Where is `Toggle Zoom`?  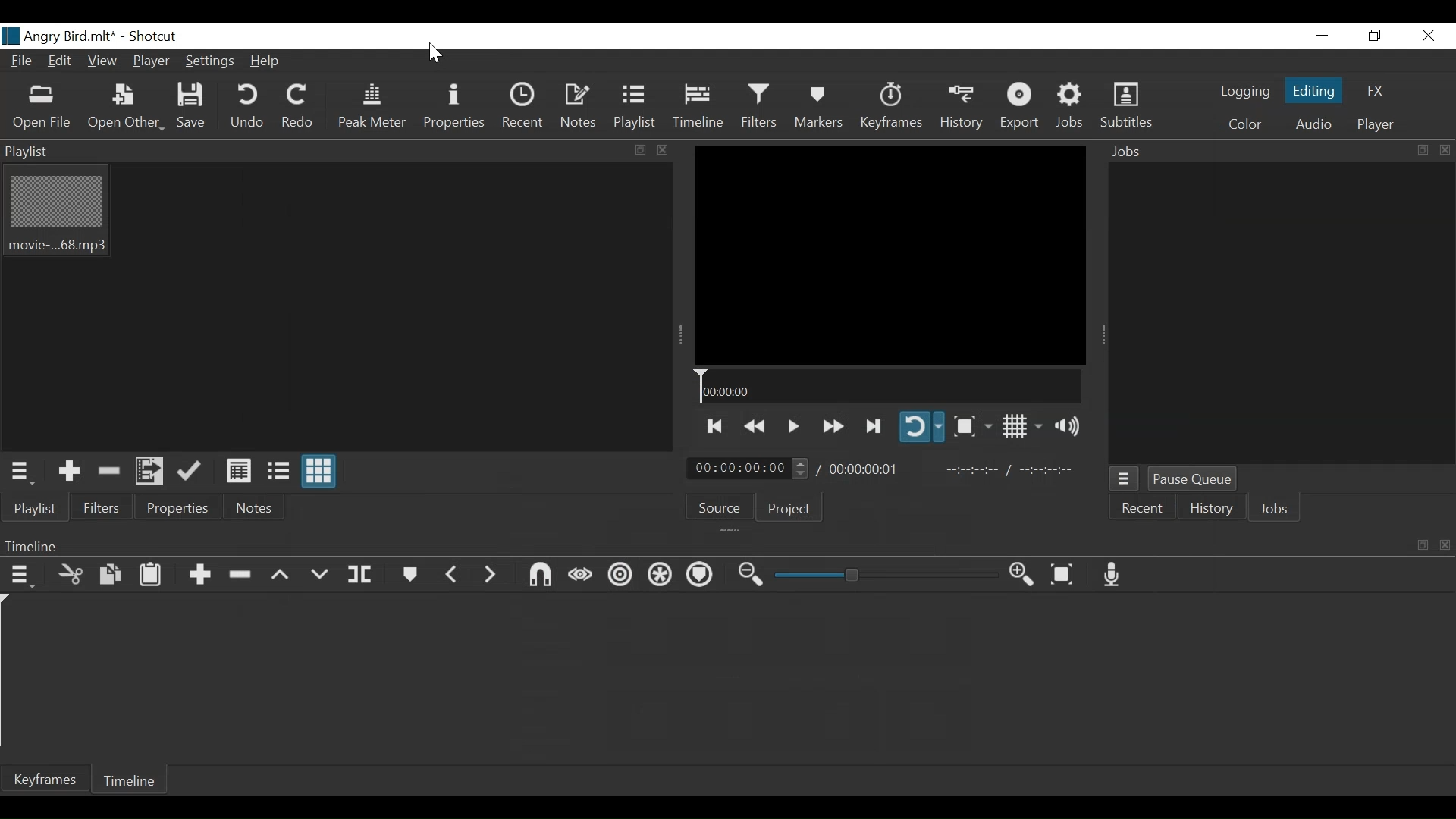 Toggle Zoom is located at coordinates (972, 425).